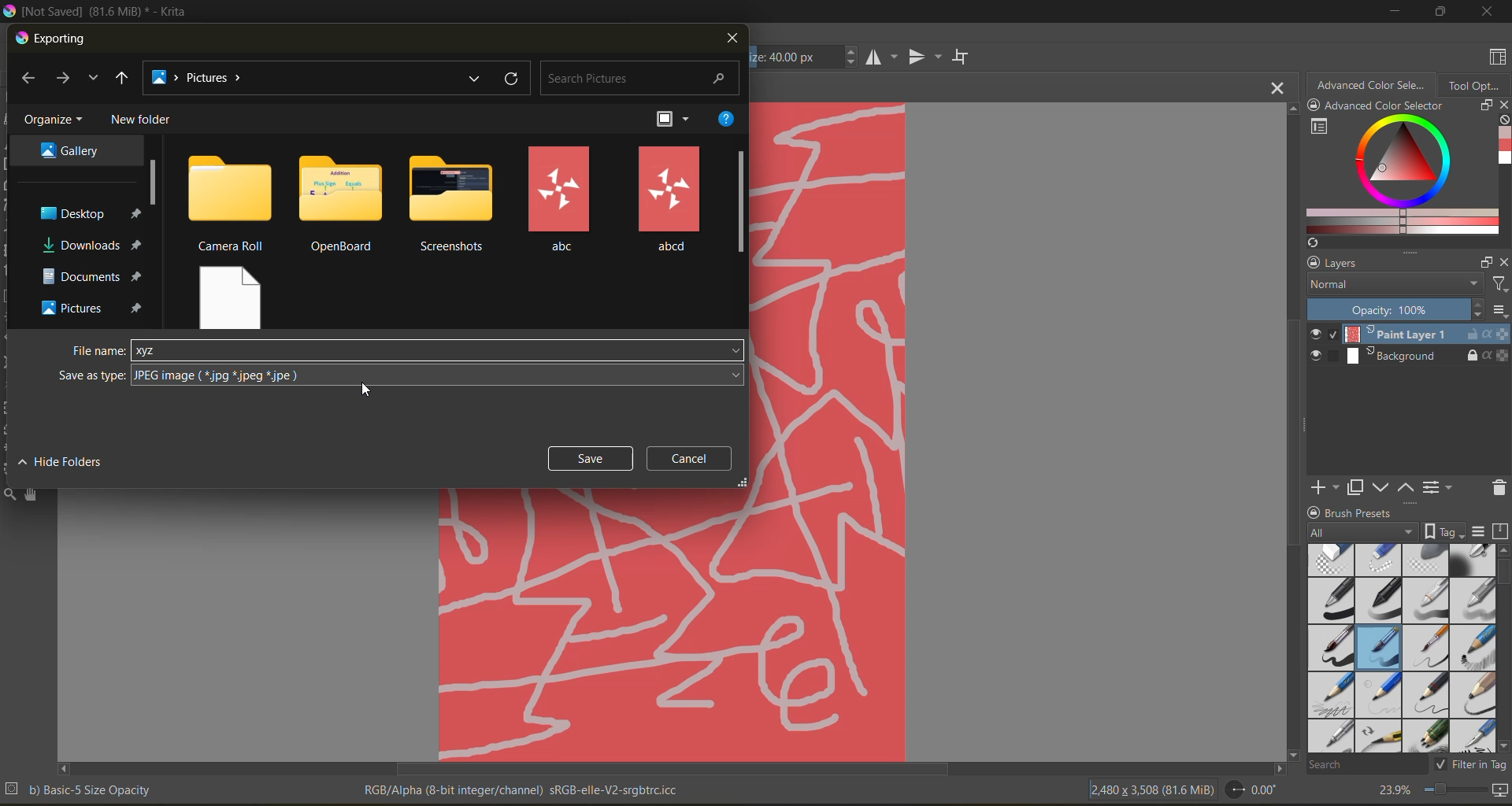 The height and width of the screenshot is (806, 1512). What do you see at coordinates (879, 57) in the screenshot?
I see `flip horizontally` at bounding box center [879, 57].